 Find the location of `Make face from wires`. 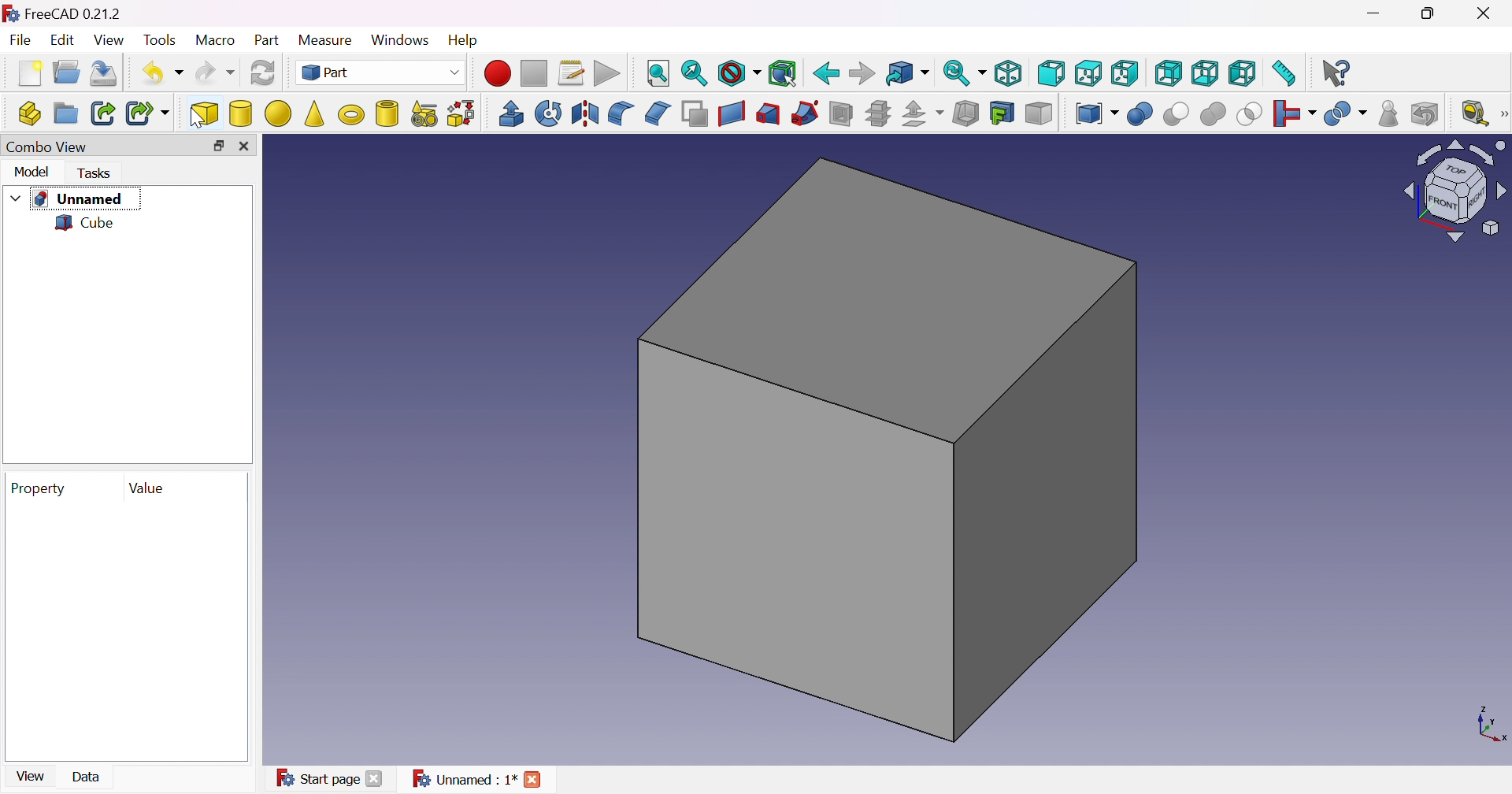

Make face from wires is located at coordinates (694, 114).